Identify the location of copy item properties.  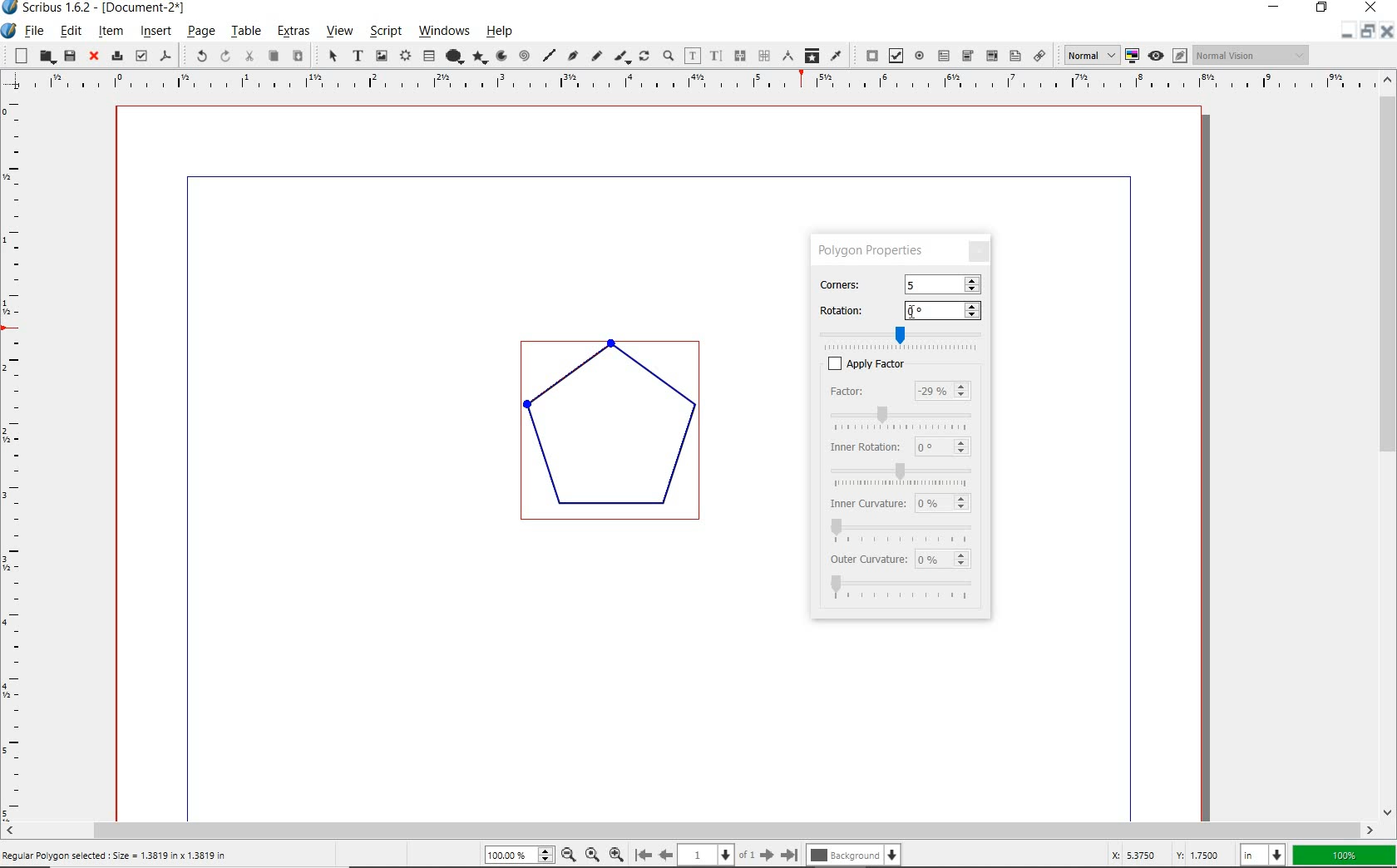
(813, 57).